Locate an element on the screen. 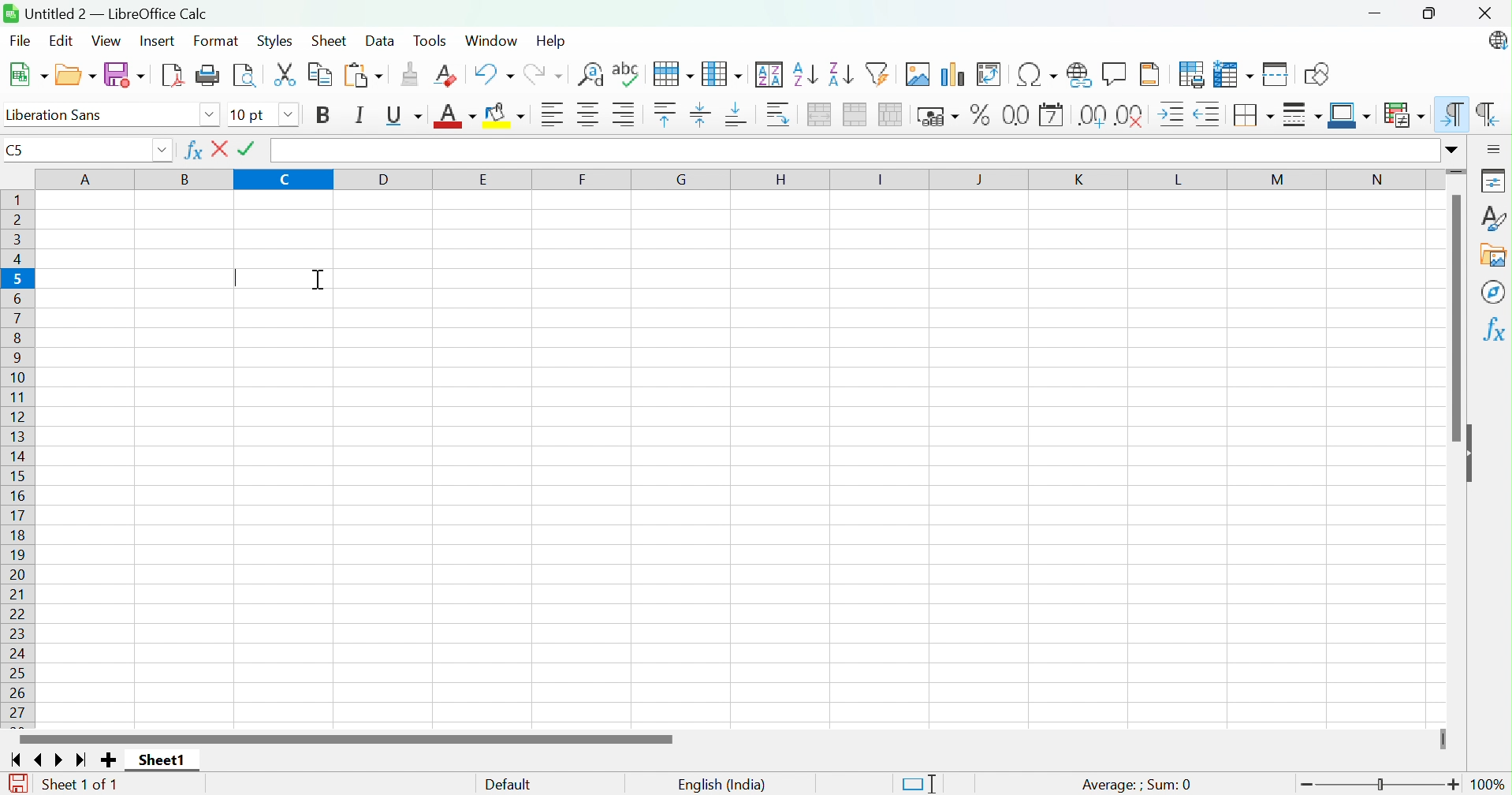 The image size is (1512, 795). Conditional is located at coordinates (1403, 114).